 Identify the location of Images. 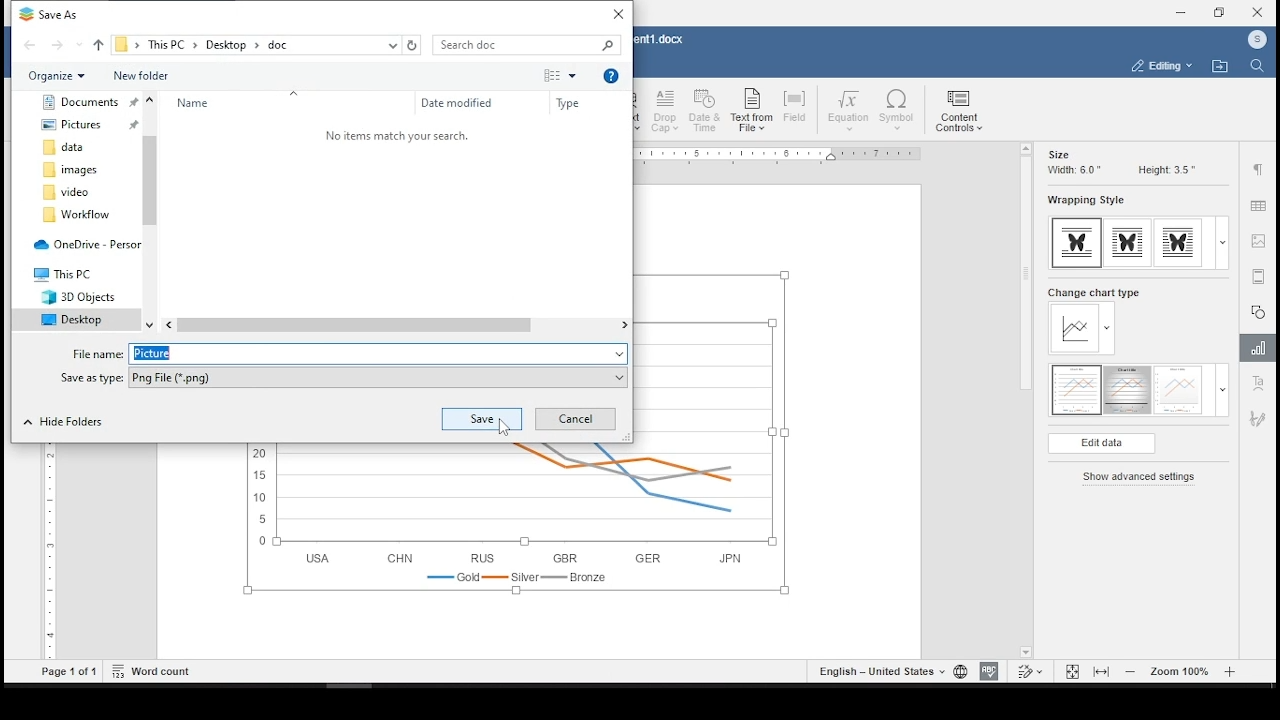
(79, 171).